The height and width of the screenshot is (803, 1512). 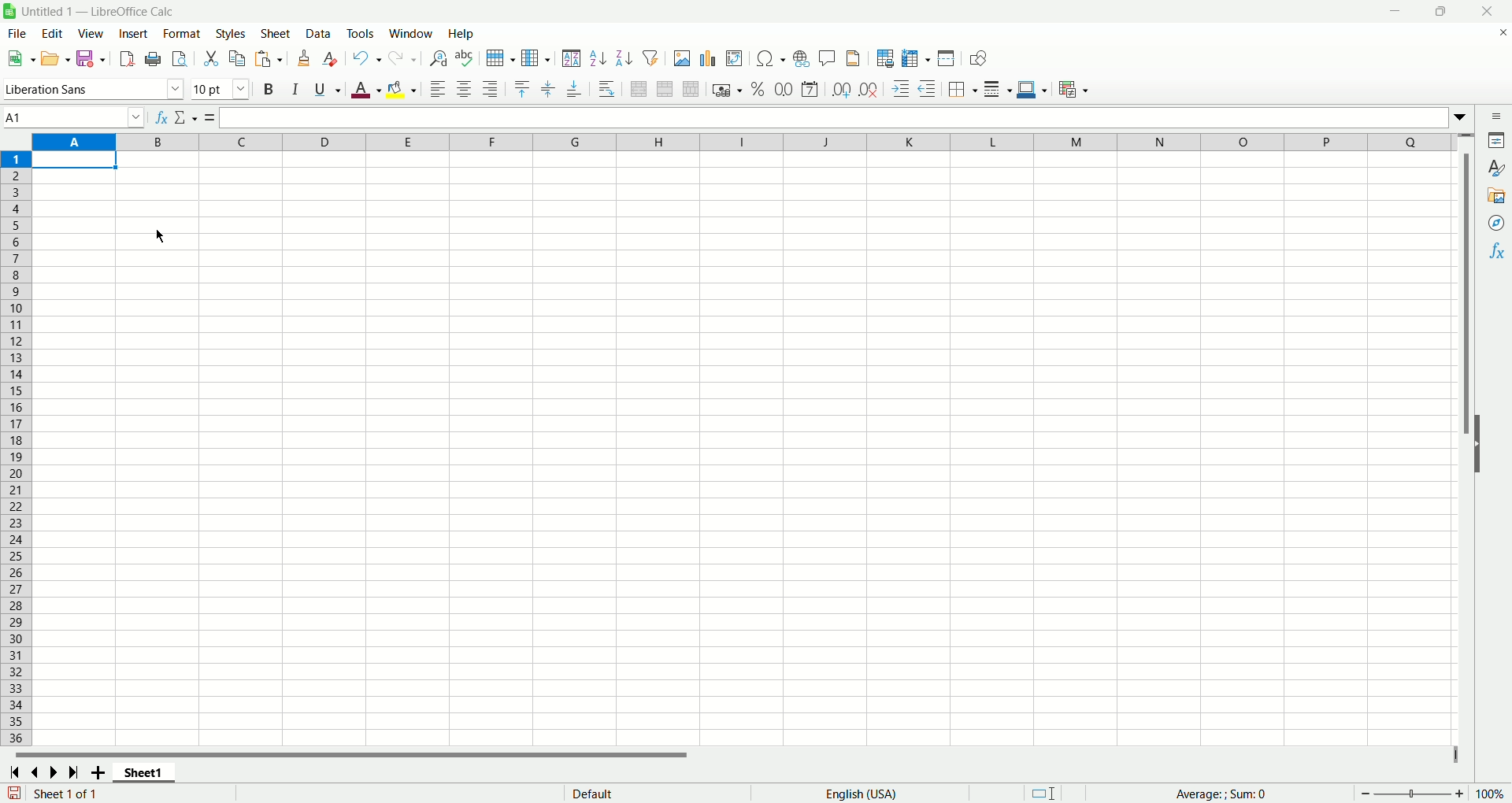 I want to click on draw function, so click(x=976, y=58).